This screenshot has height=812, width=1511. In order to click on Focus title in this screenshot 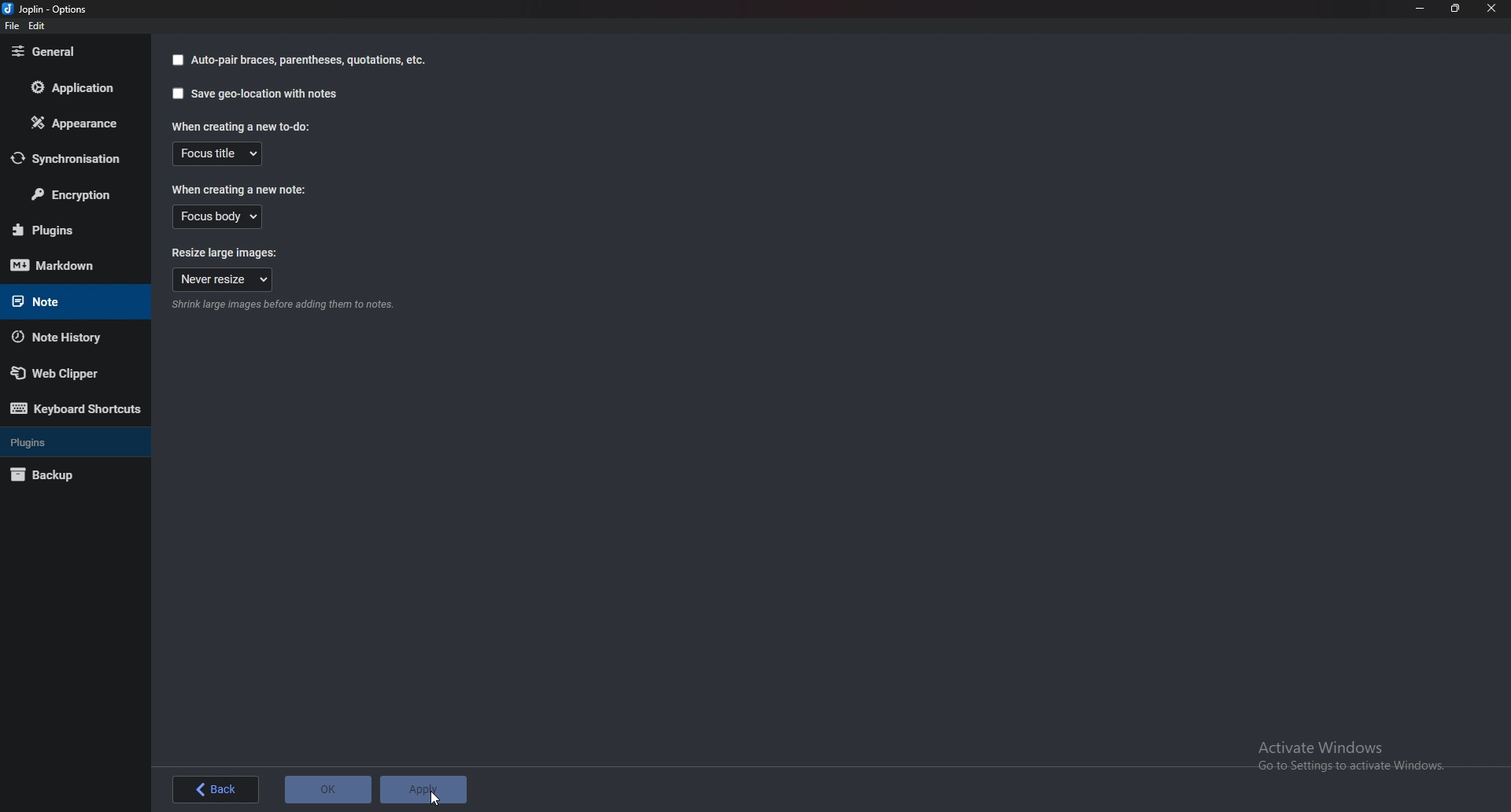, I will do `click(217, 153)`.